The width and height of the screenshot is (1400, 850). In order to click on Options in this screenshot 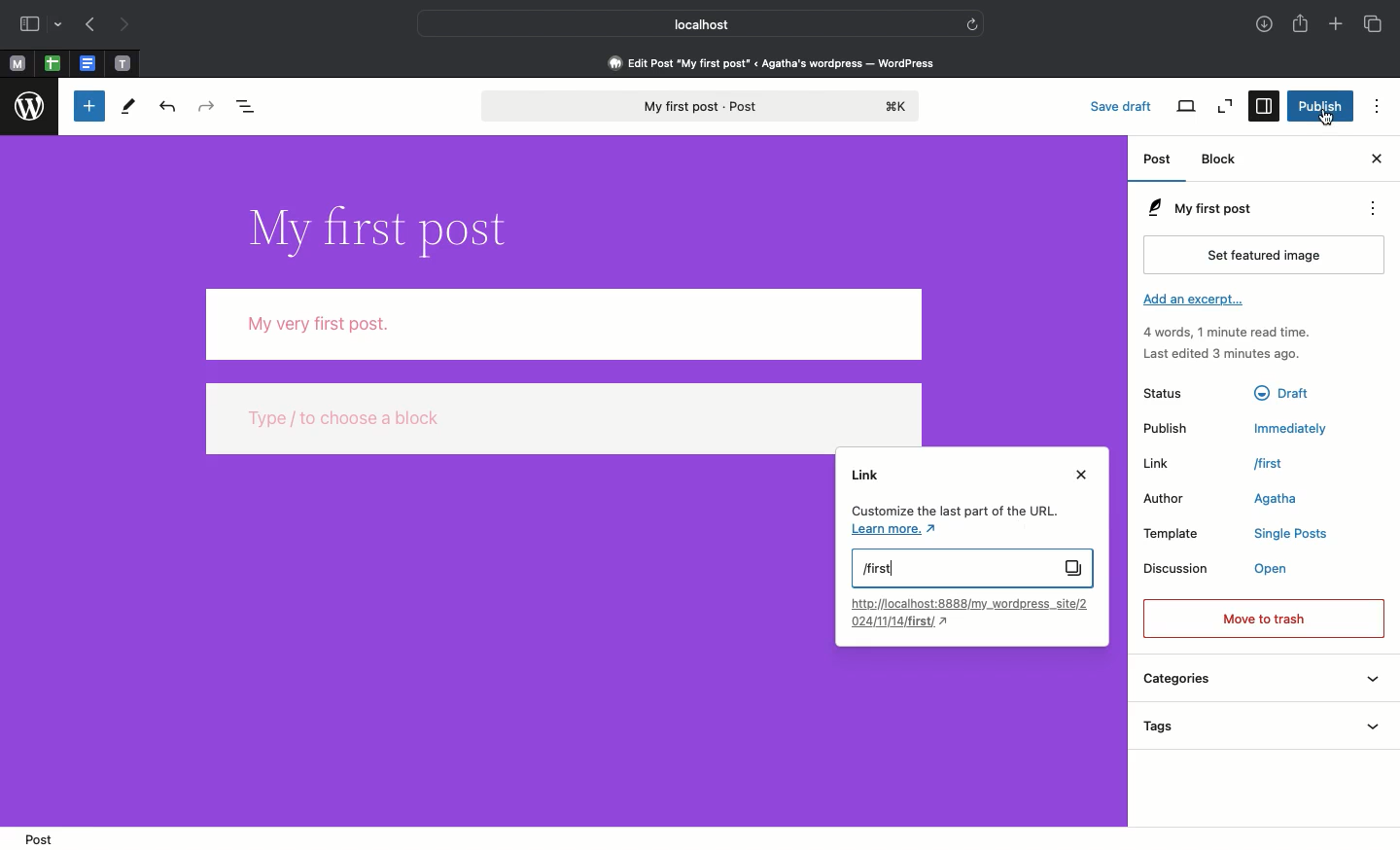, I will do `click(1379, 105)`.